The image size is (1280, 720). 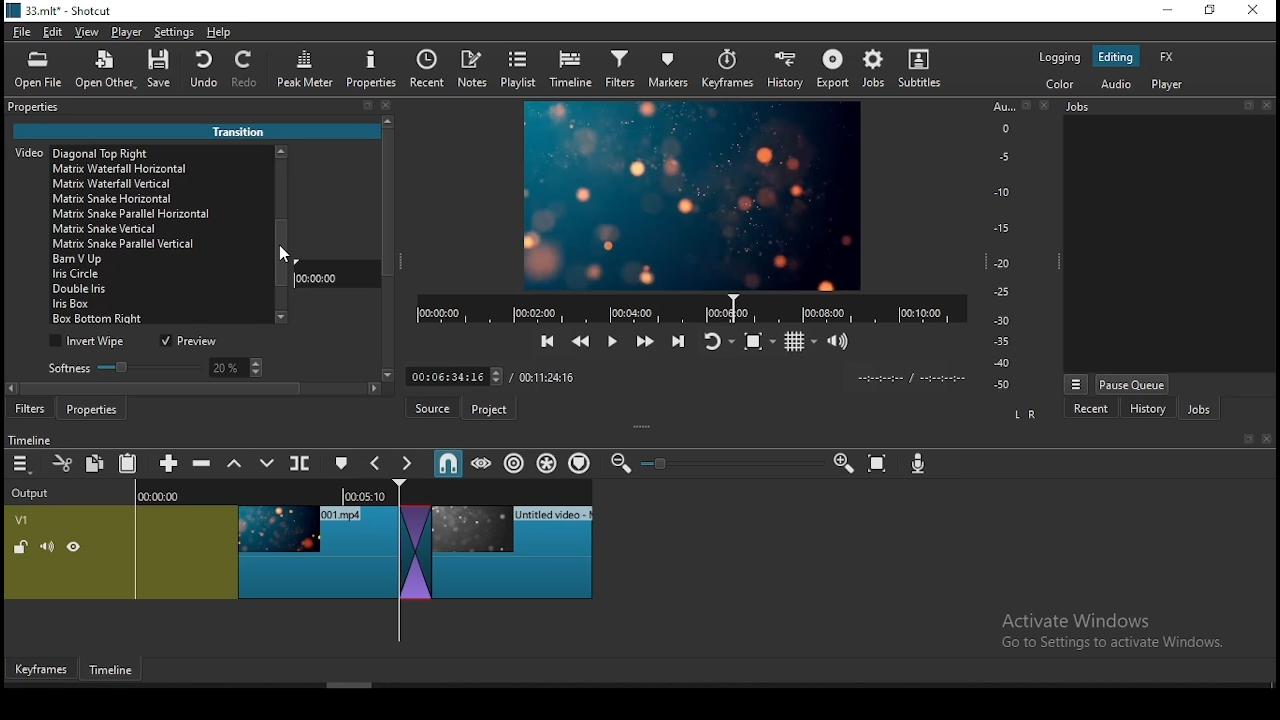 What do you see at coordinates (298, 547) in the screenshot?
I see `video track` at bounding box center [298, 547].